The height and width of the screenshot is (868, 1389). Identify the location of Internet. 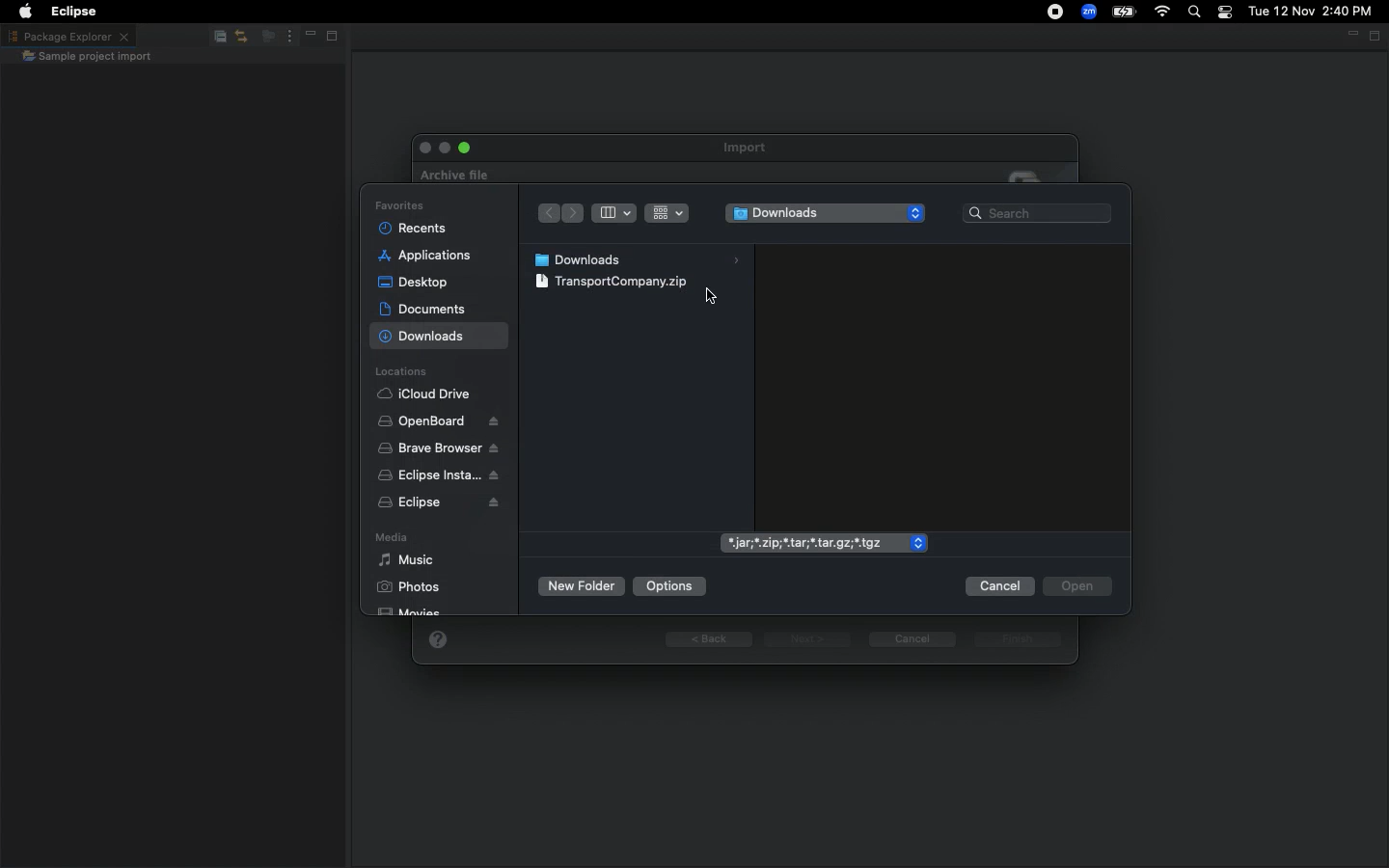
(1162, 13).